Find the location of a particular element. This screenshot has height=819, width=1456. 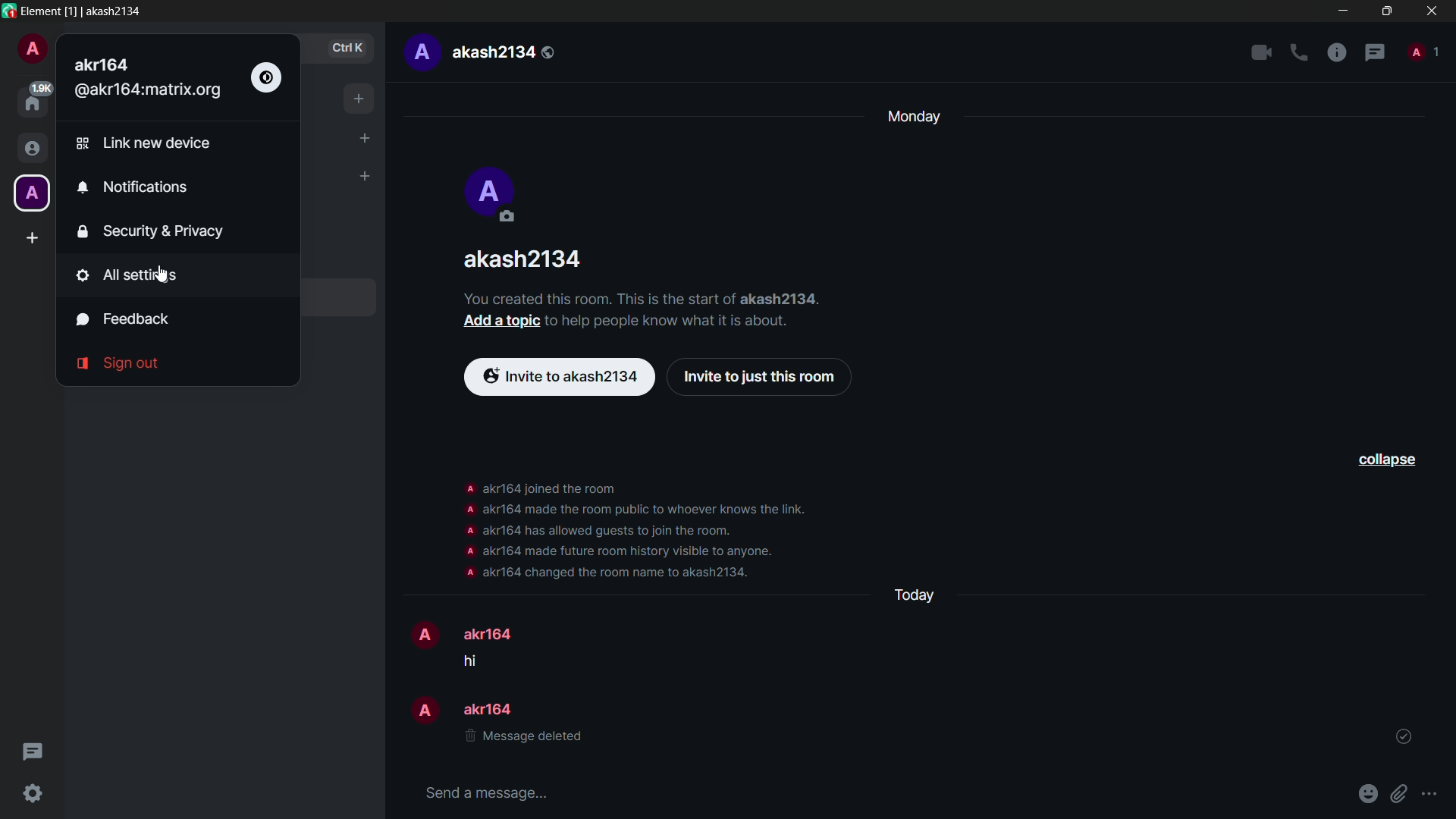

cursor is located at coordinates (164, 275).